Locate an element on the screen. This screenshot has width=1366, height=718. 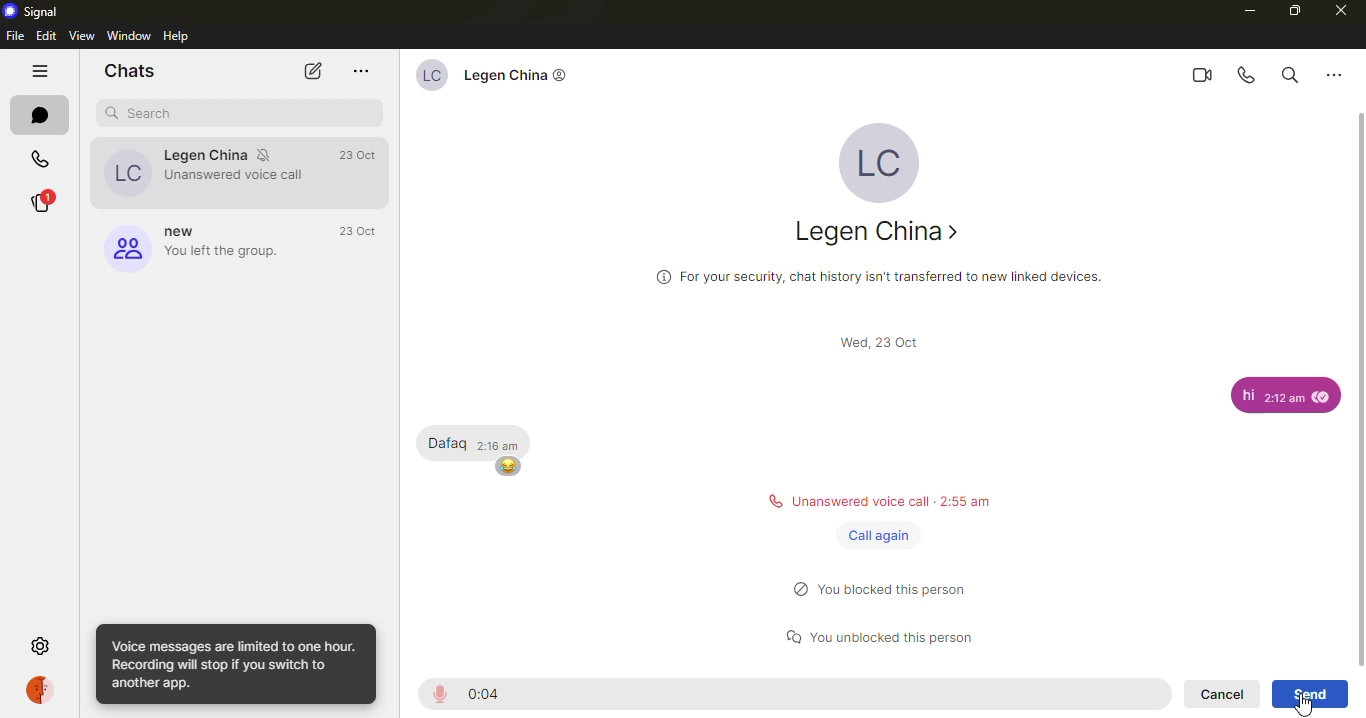
video call is located at coordinates (1204, 73).